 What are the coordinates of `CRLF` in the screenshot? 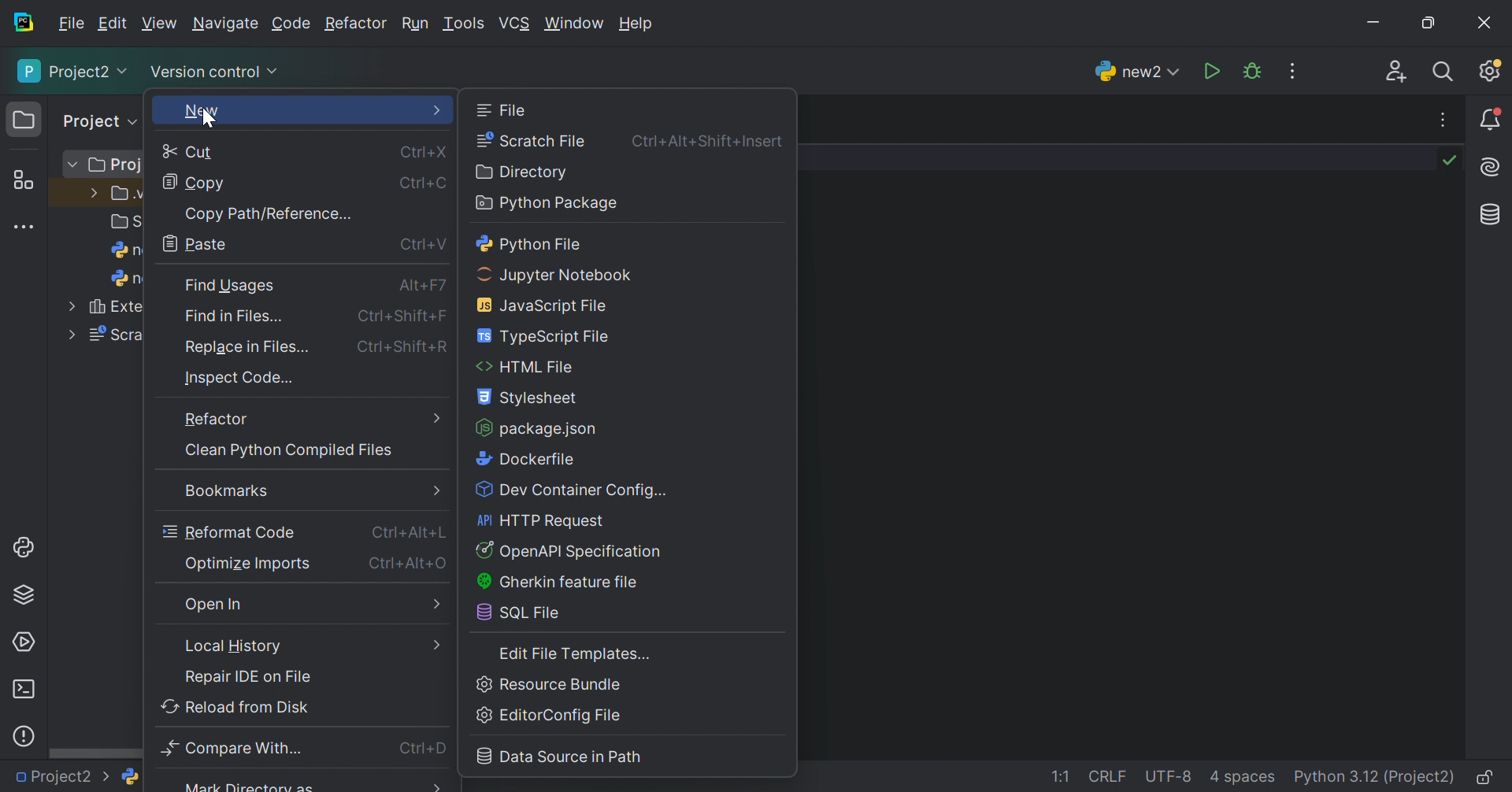 It's located at (1106, 775).